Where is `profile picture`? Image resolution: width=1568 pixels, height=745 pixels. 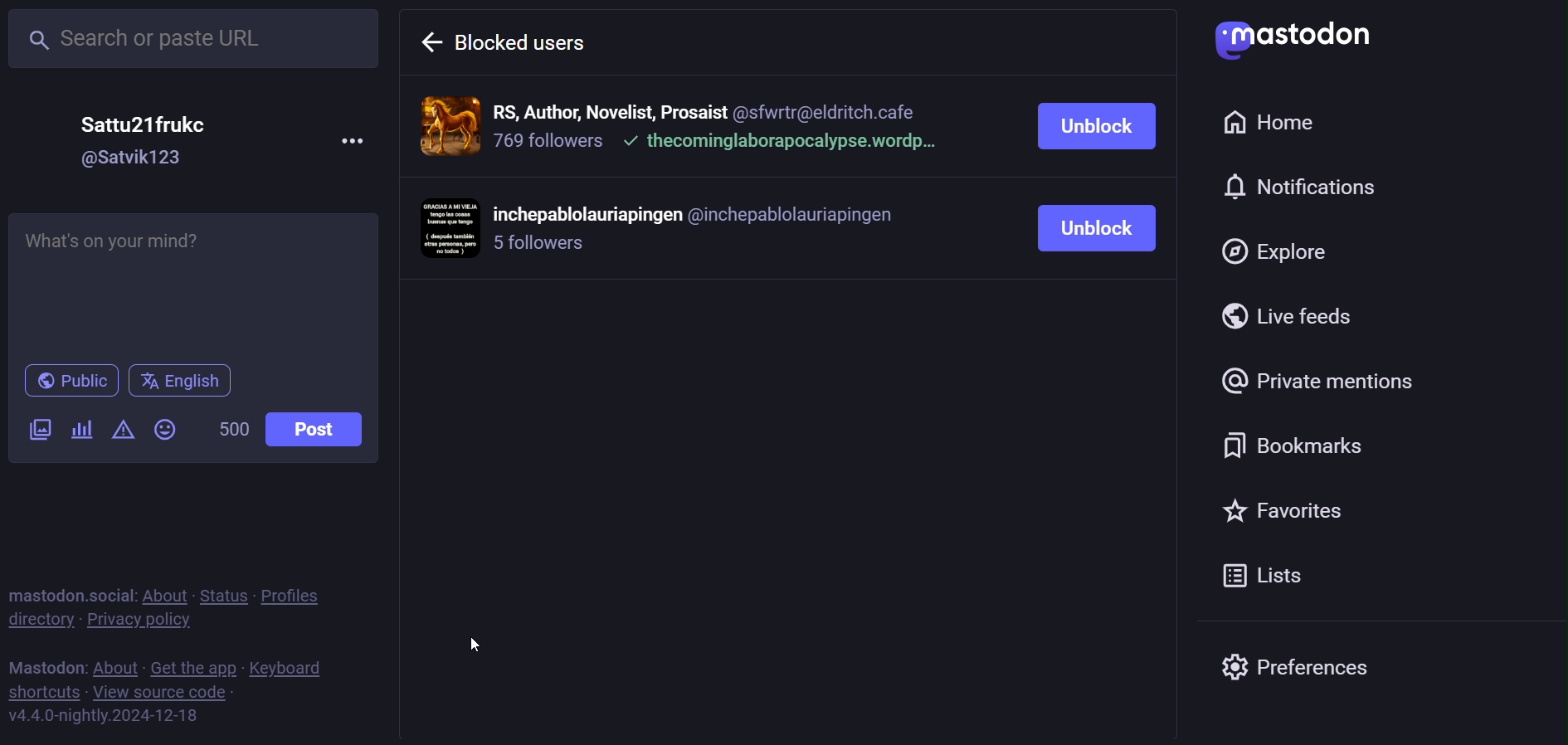
profile picture is located at coordinates (449, 228).